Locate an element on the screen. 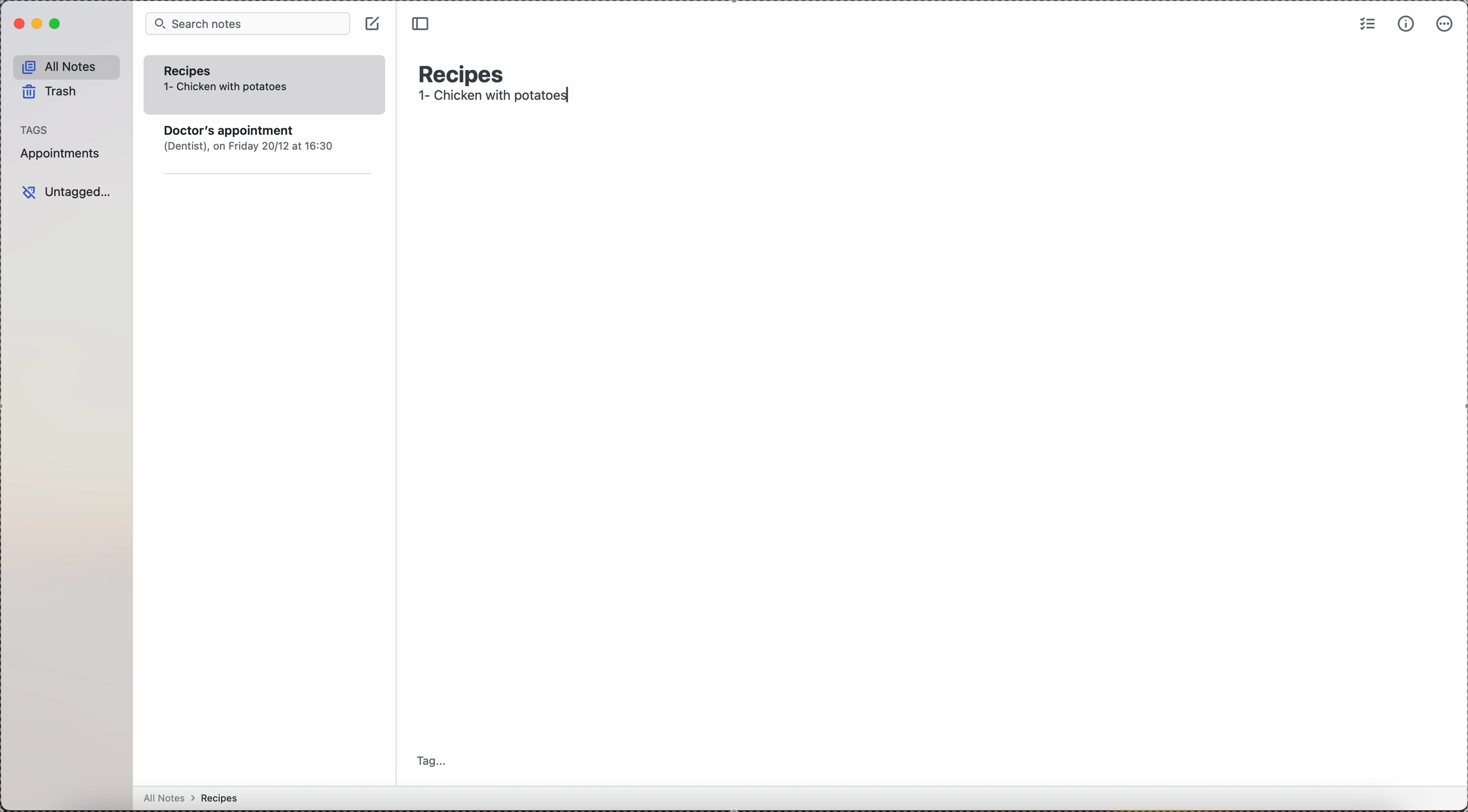 The height and width of the screenshot is (812, 1468). minimize is located at coordinates (38, 25).